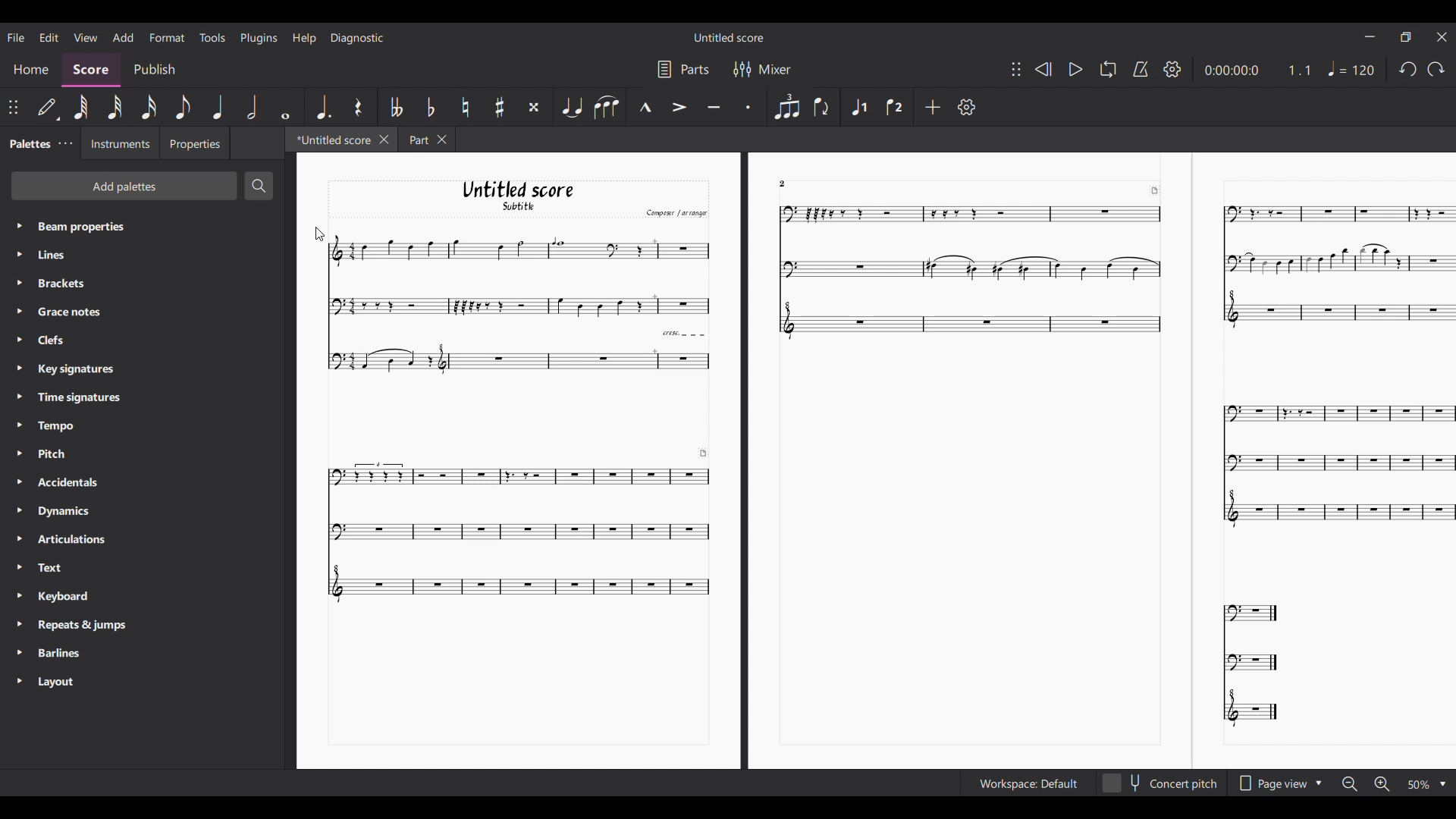  I want to click on Whole note, so click(284, 107).